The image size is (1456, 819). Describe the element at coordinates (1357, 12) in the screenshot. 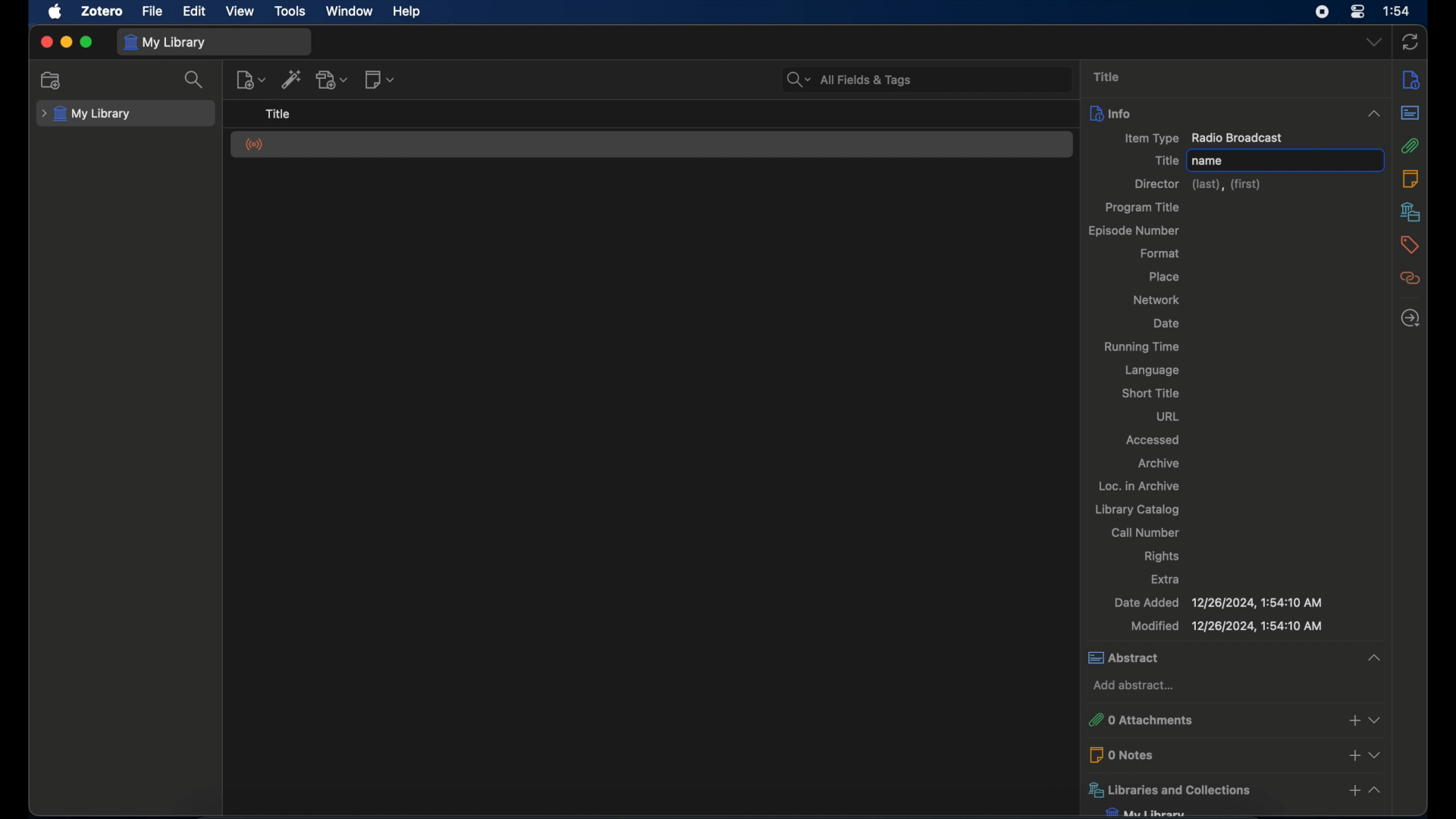

I see `control center` at that location.